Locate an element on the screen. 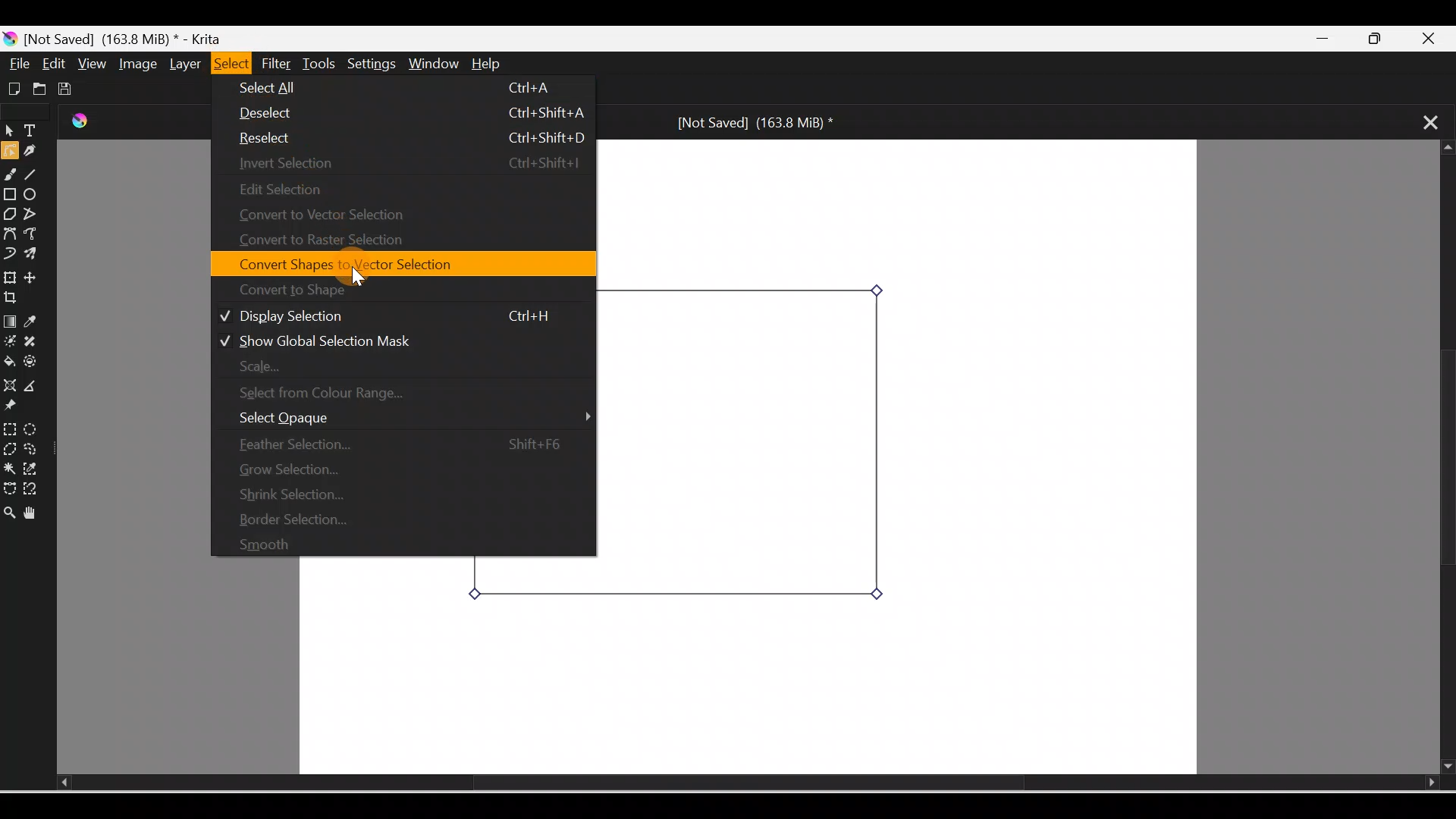  Open existing document is located at coordinates (37, 89).